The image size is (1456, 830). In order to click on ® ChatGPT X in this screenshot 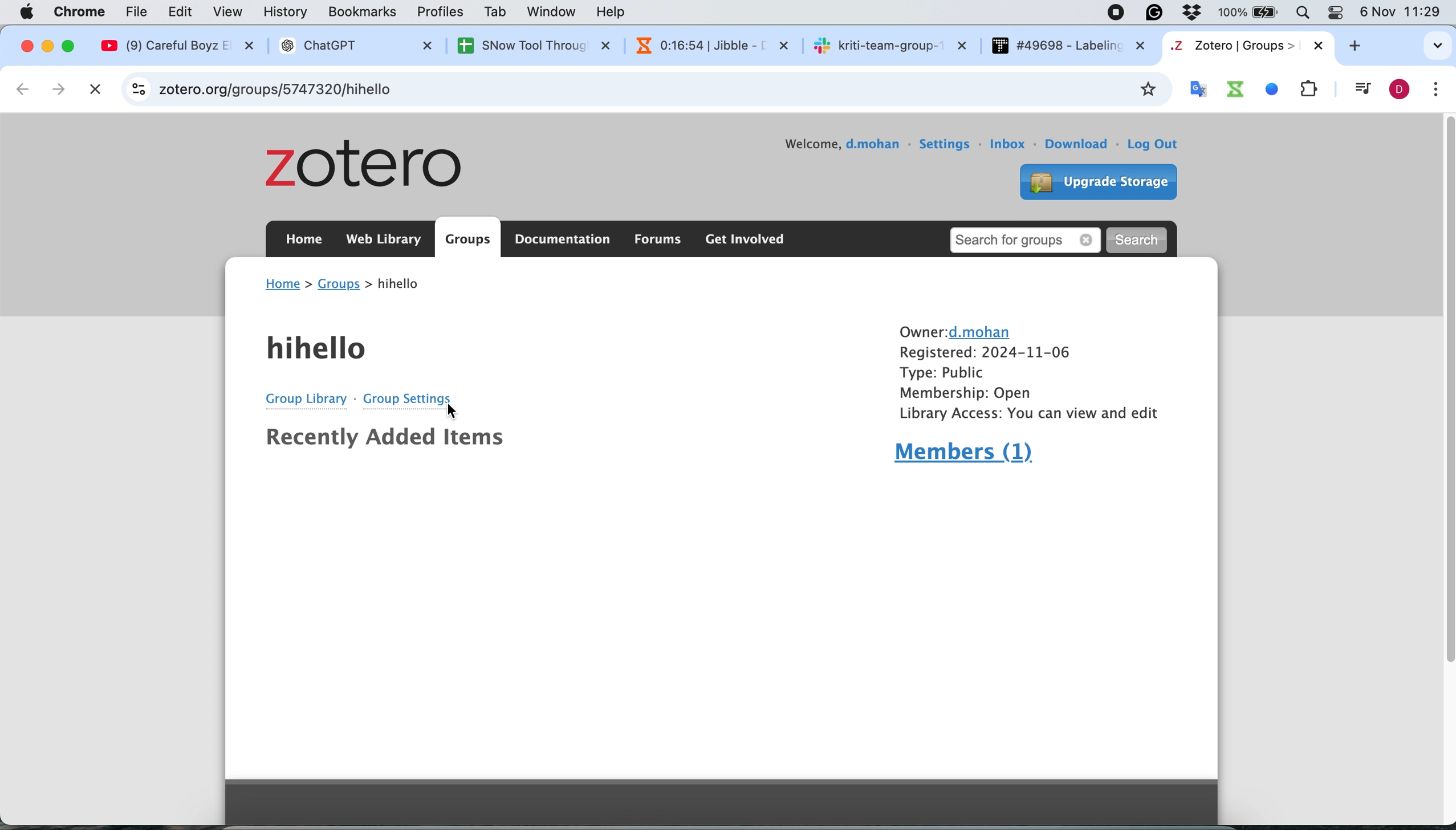, I will do `click(353, 46)`.